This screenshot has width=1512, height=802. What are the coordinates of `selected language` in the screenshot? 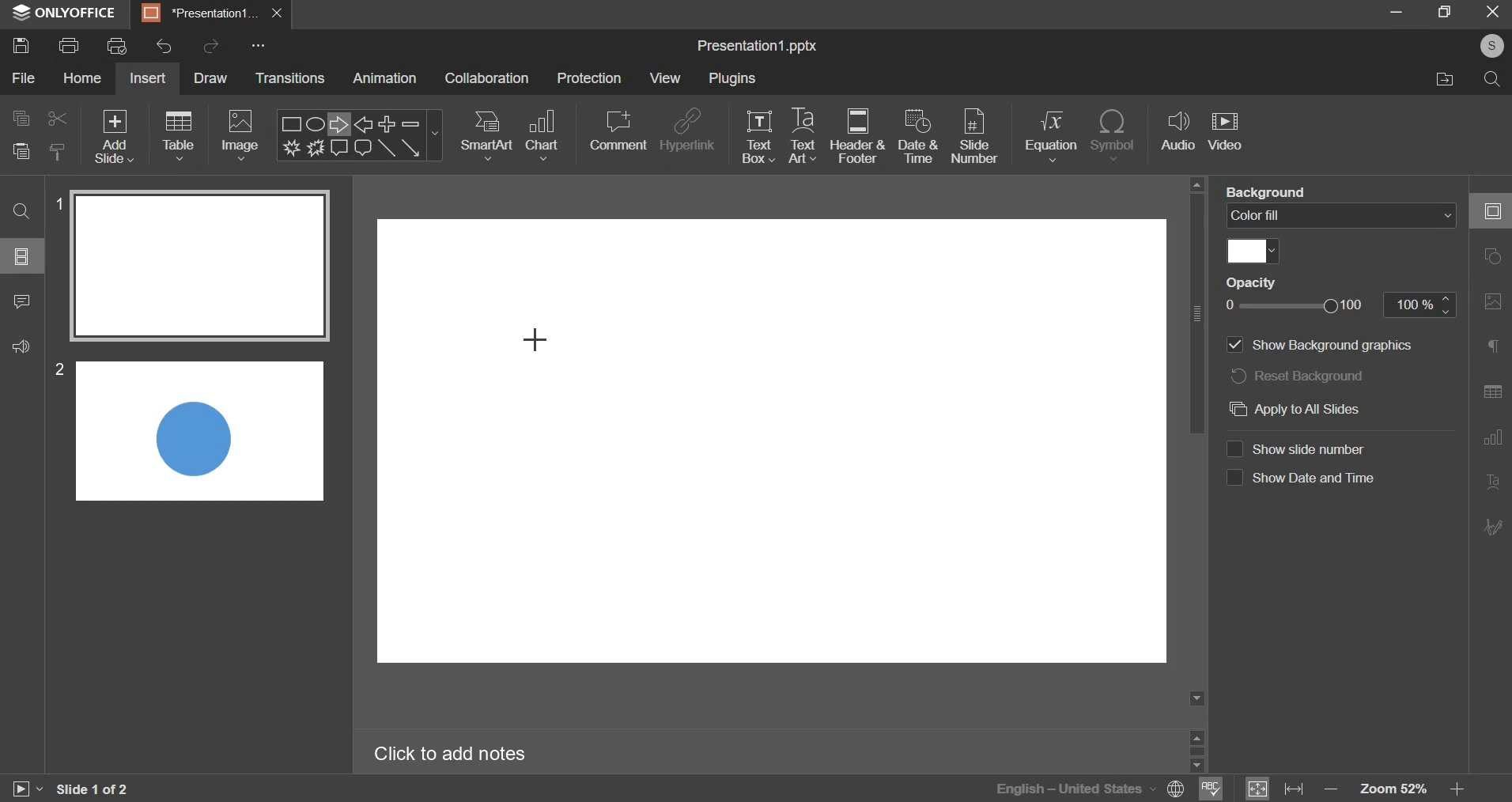 It's located at (1088, 789).